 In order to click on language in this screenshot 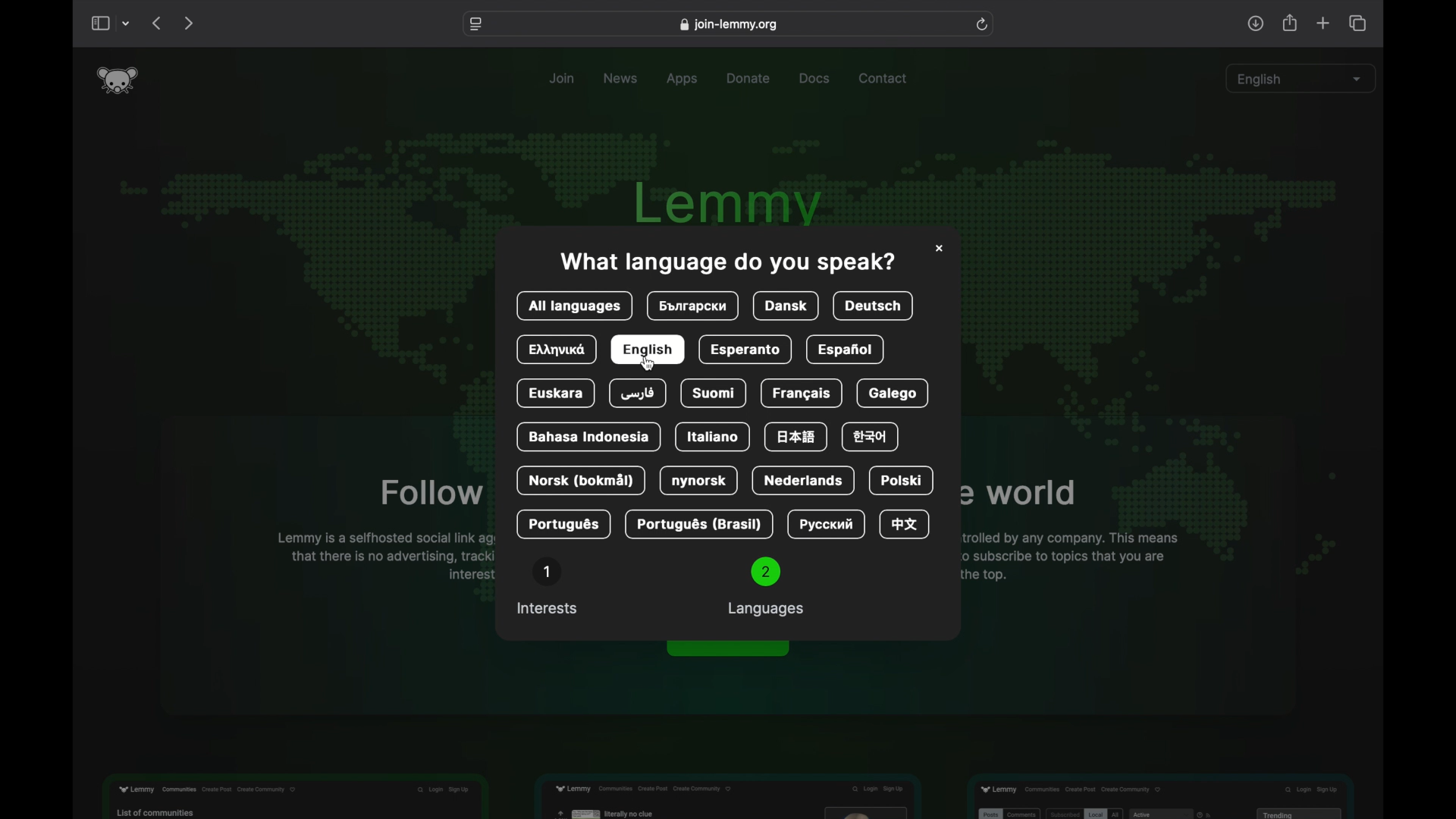, I will do `click(798, 437)`.